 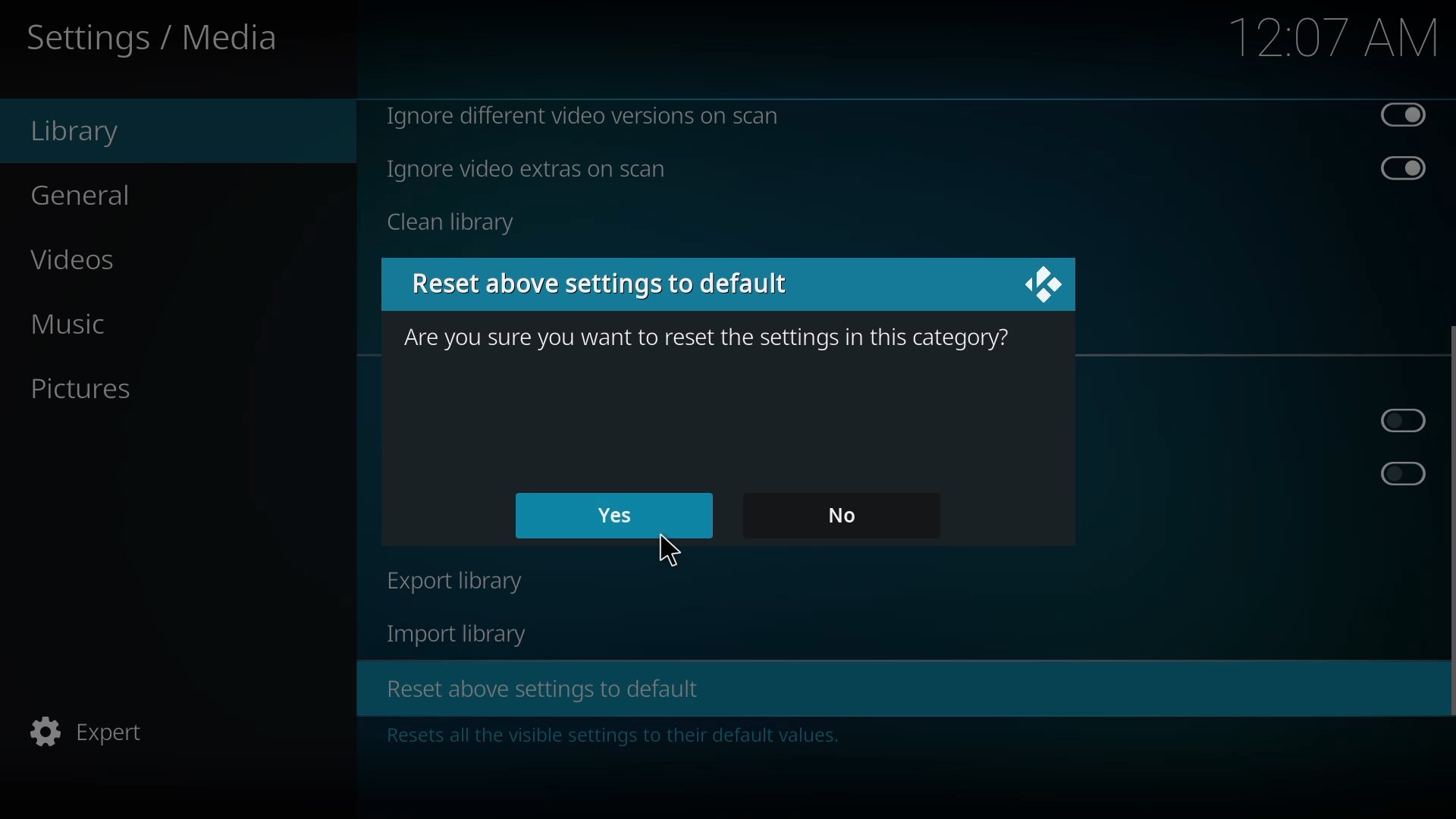 What do you see at coordinates (607, 284) in the screenshot?
I see `reset` at bounding box center [607, 284].